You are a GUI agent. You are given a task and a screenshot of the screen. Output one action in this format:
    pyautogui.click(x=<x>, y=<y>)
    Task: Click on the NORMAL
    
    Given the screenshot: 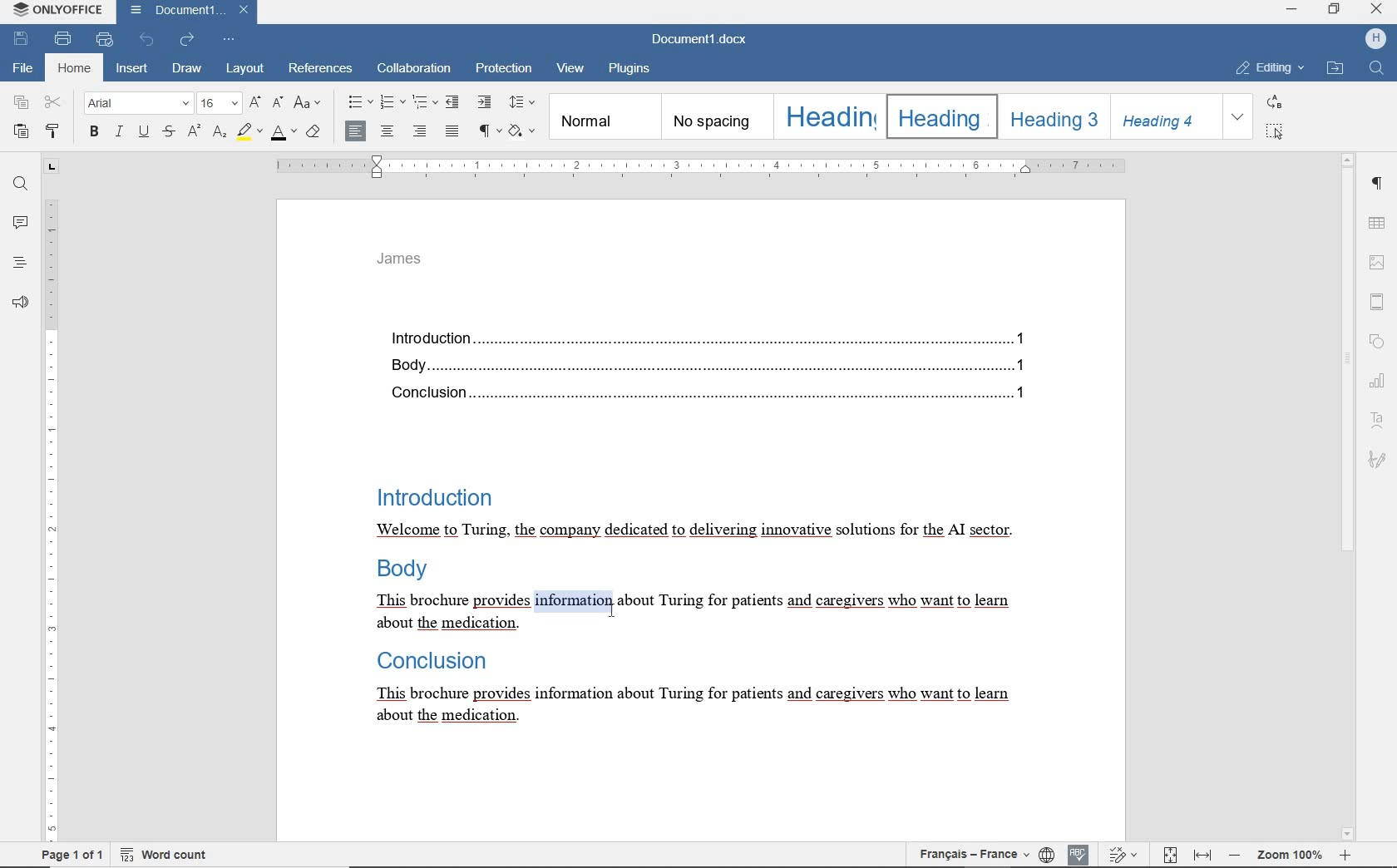 What is the action you would take?
    pyautogui.click(x=603, y=117)
    